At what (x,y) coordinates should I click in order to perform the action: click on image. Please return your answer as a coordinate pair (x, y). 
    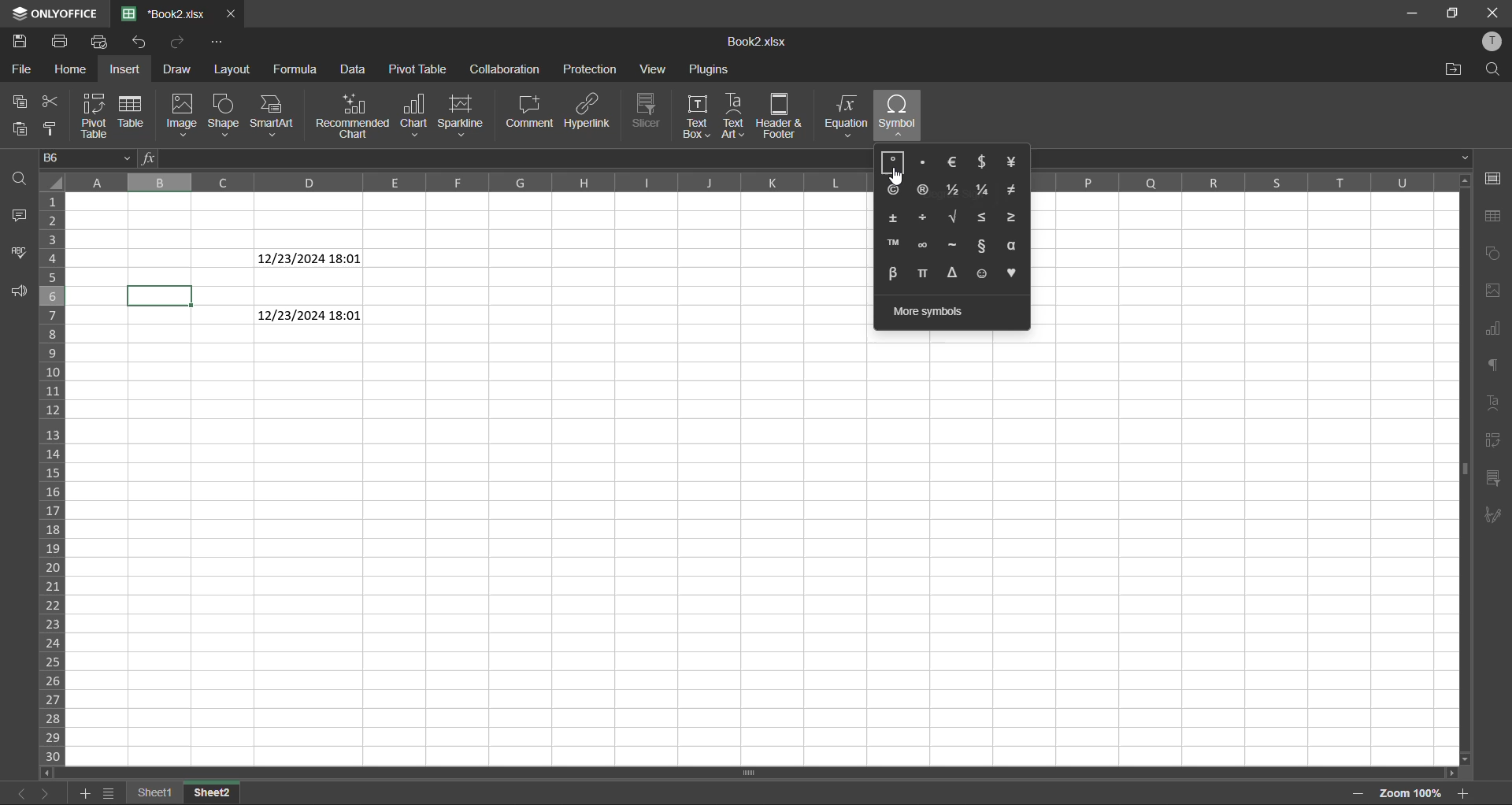
    Looking at the image, I should click on (1492, 291).